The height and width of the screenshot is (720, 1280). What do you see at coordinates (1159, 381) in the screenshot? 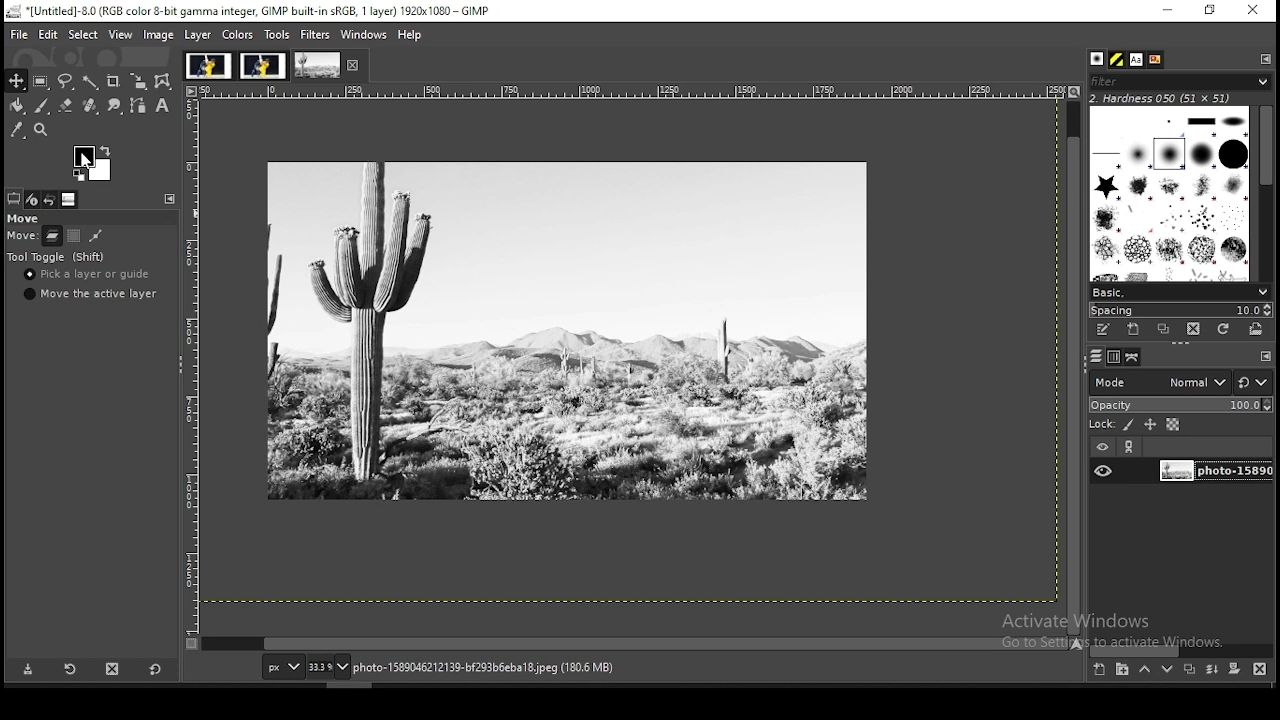
I see `mode` at bounding box center [1159, 381].